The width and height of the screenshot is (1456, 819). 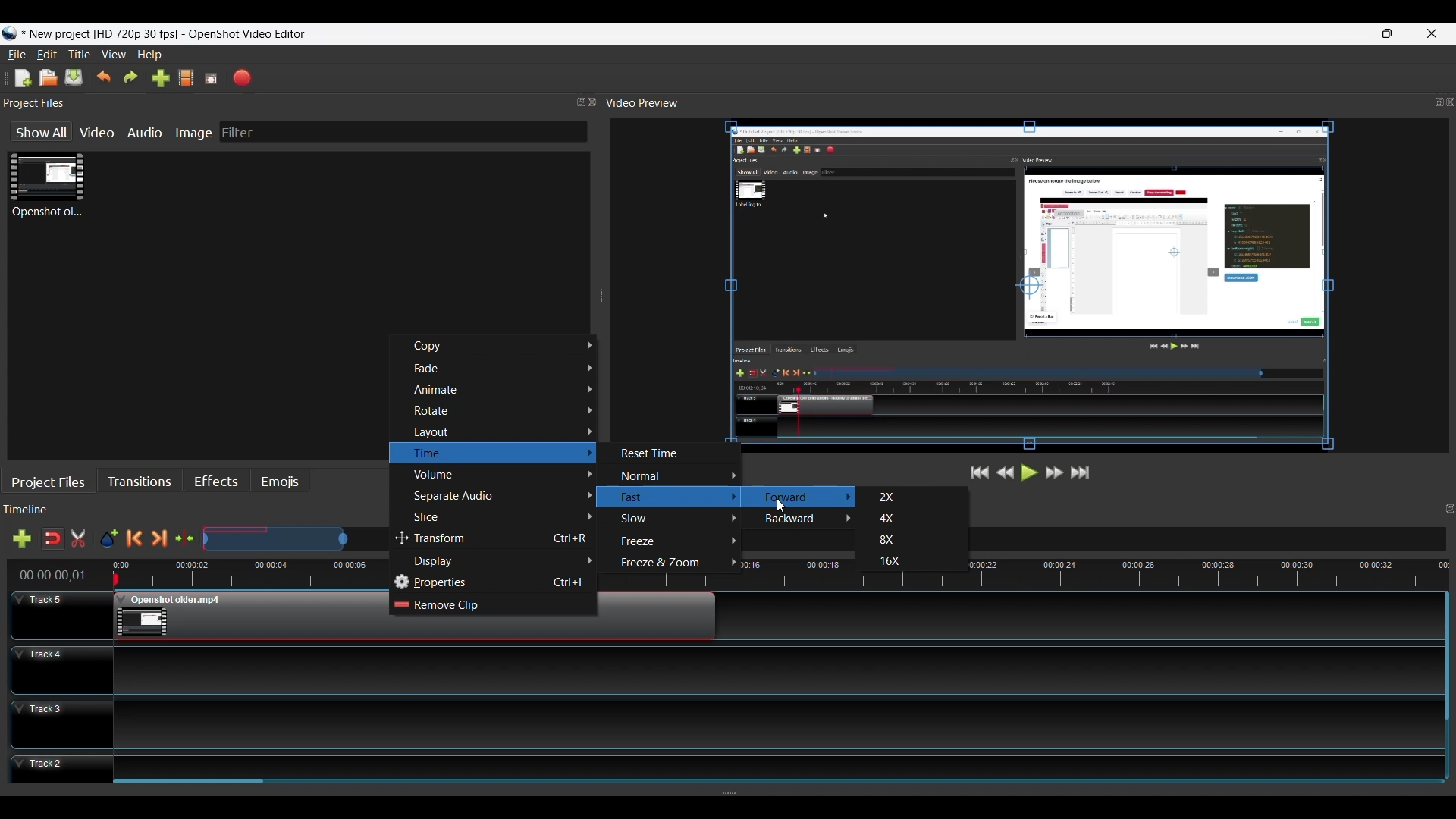 I want to click on Timeline, so click(x=196, y=573).